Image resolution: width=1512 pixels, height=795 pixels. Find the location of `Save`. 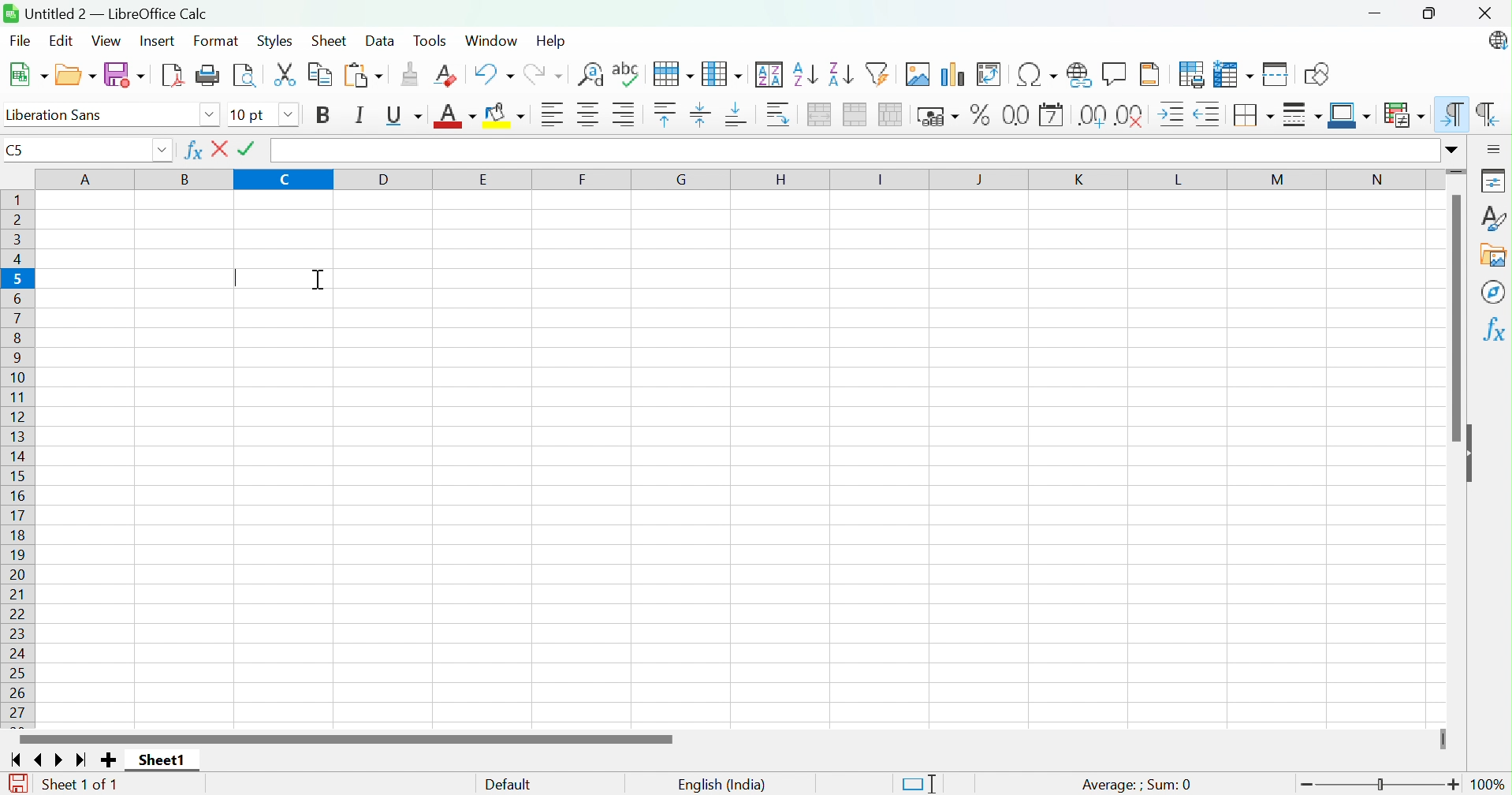

Save is located at coordinates (126, 73).